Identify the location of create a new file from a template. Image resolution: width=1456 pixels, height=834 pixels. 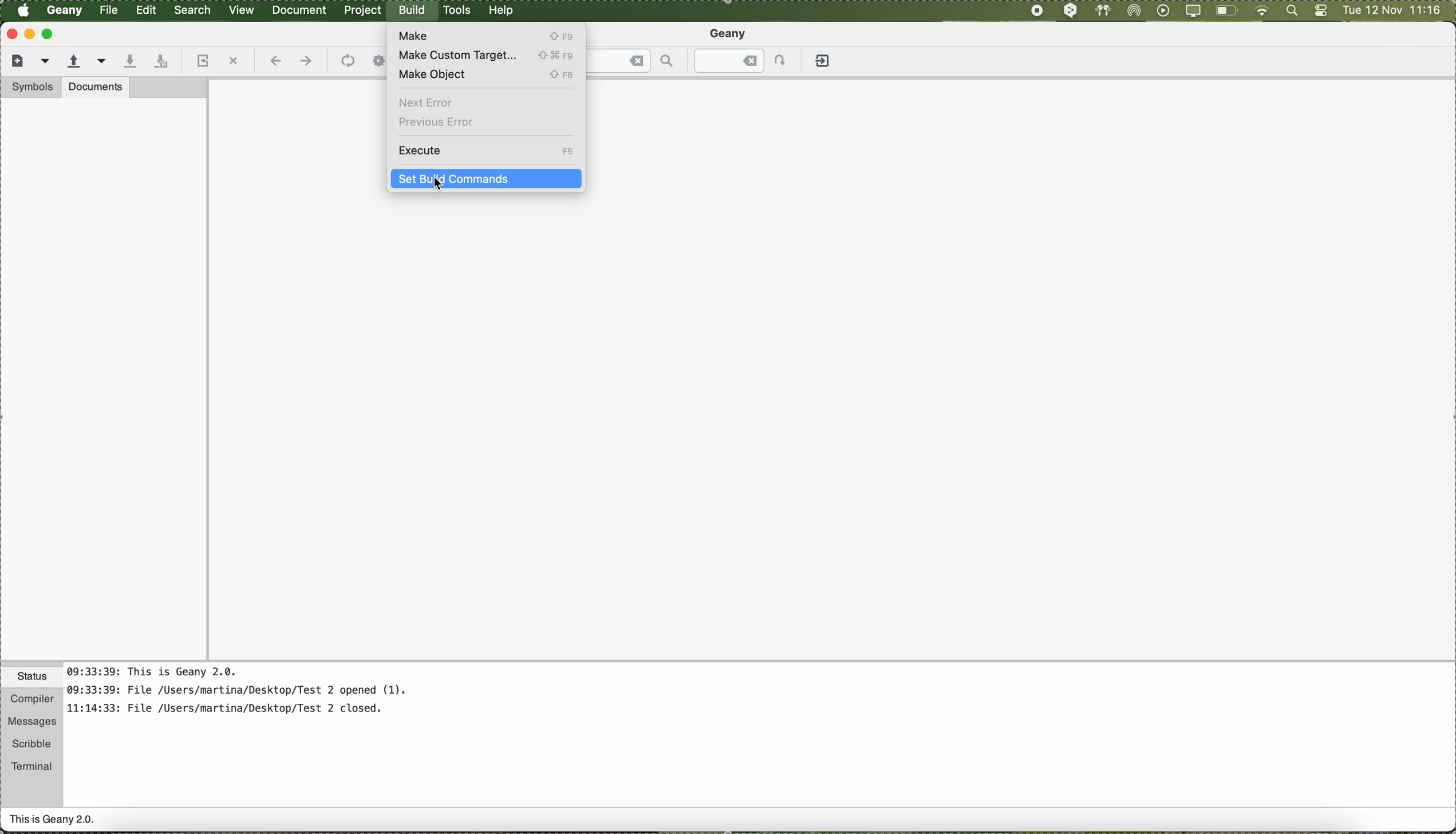
(47, 62).